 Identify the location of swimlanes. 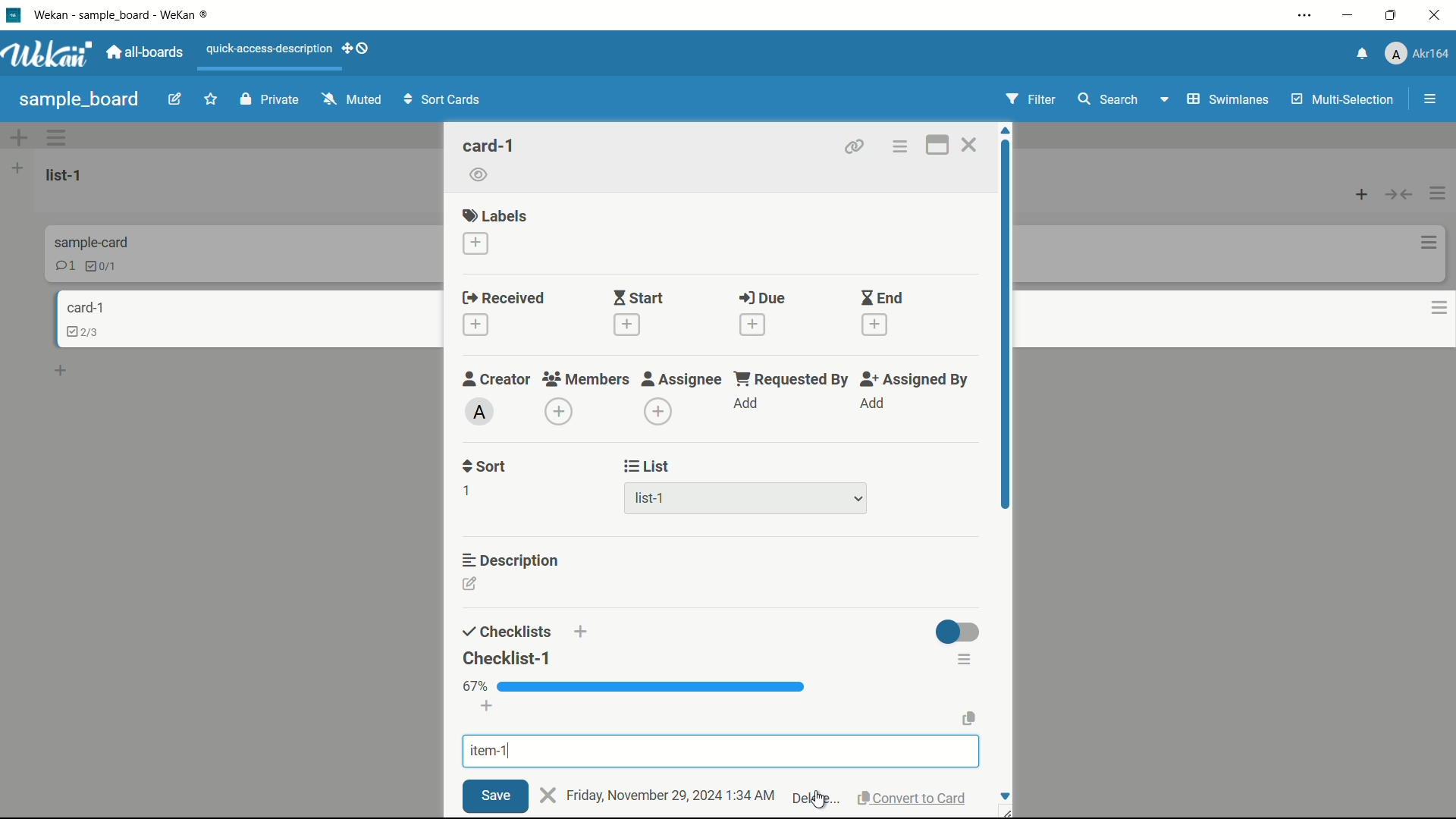
(1216, 100).